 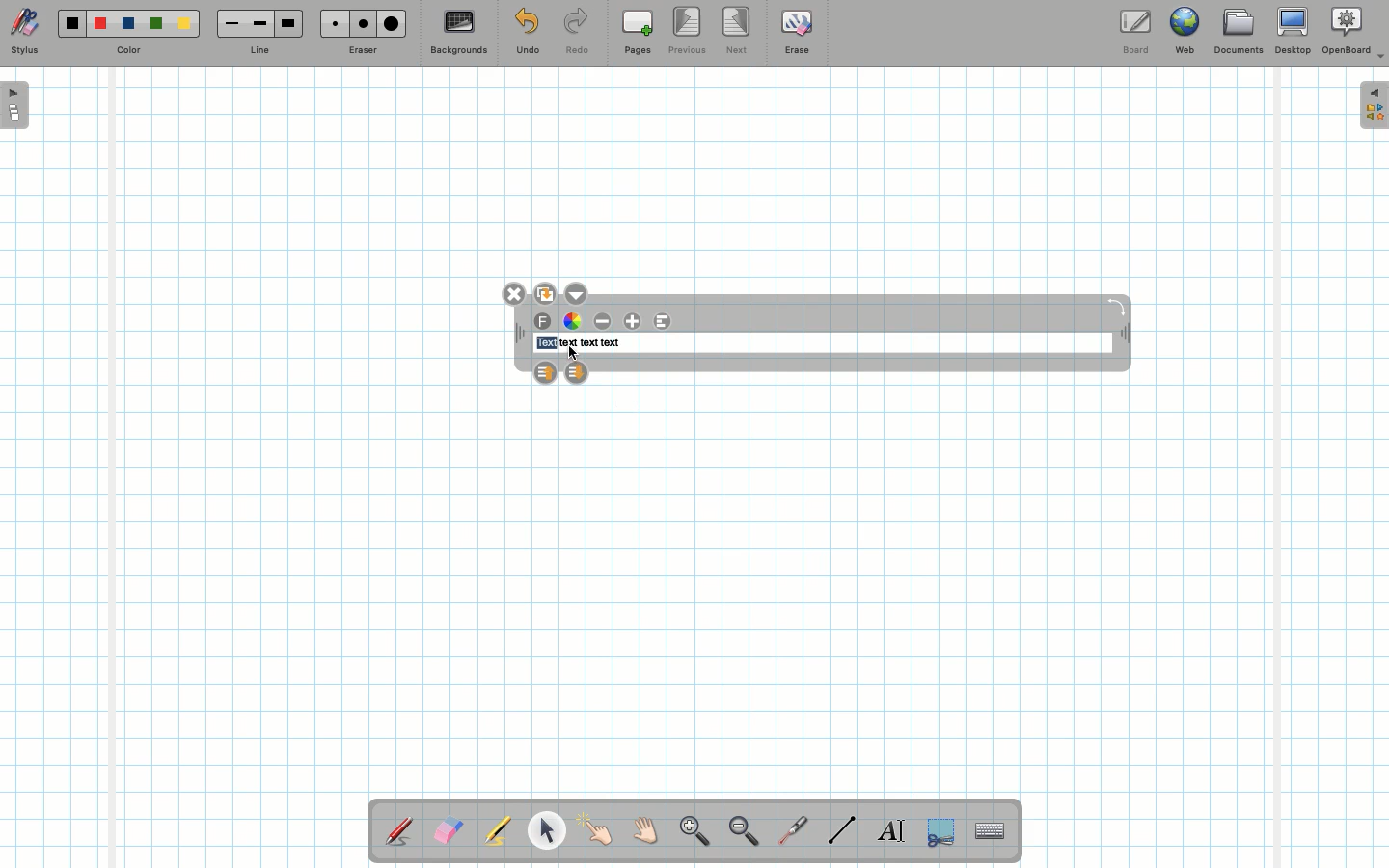 I want to click on Large line, so click(x=289, y=23).